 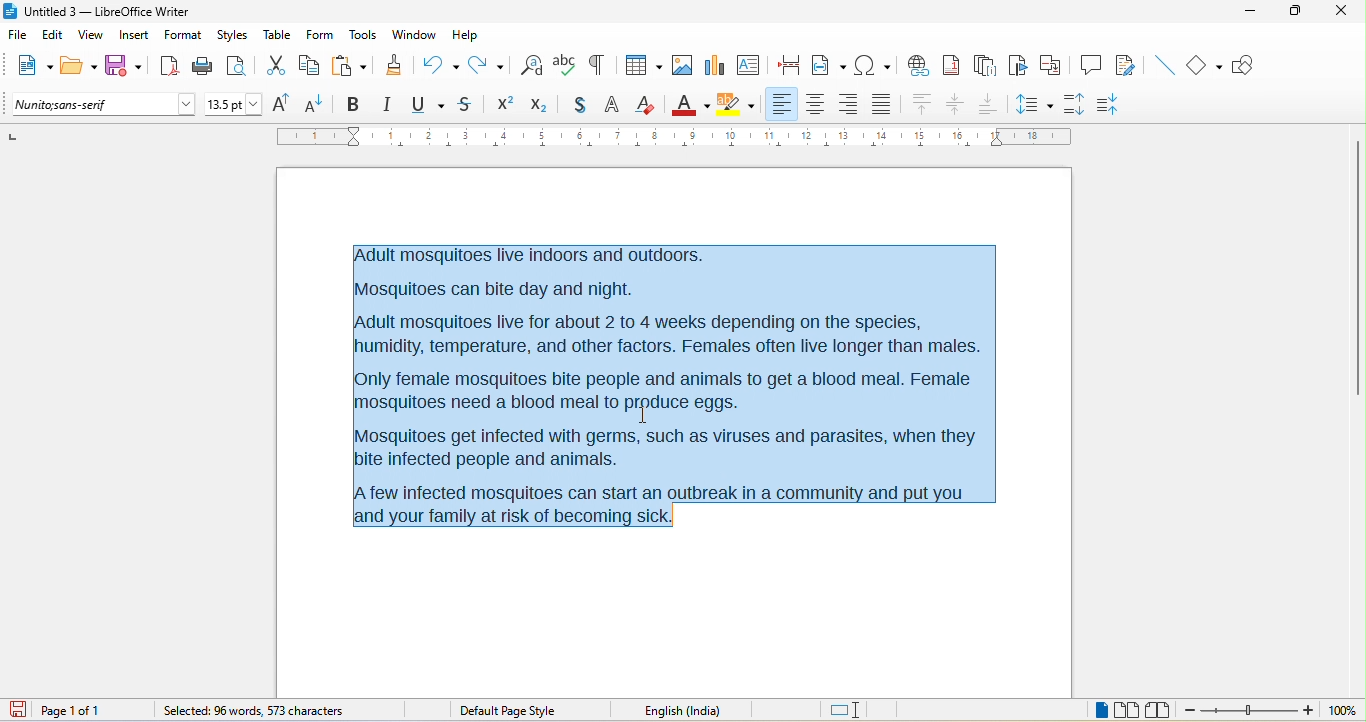 I want to click on edit, so click(x=53, y=36).